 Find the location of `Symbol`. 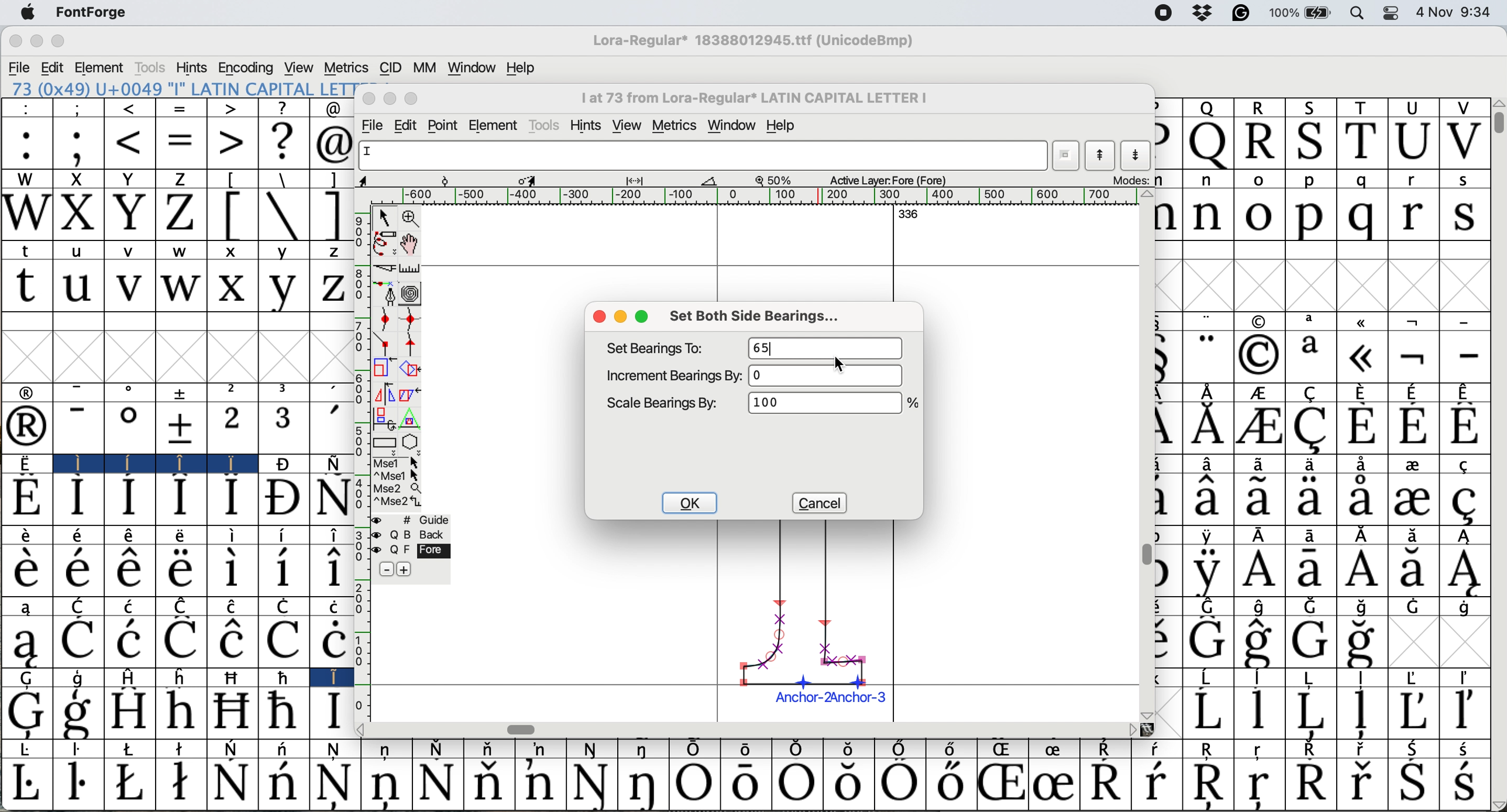

Symbol is located at coordinates (1412, 710).